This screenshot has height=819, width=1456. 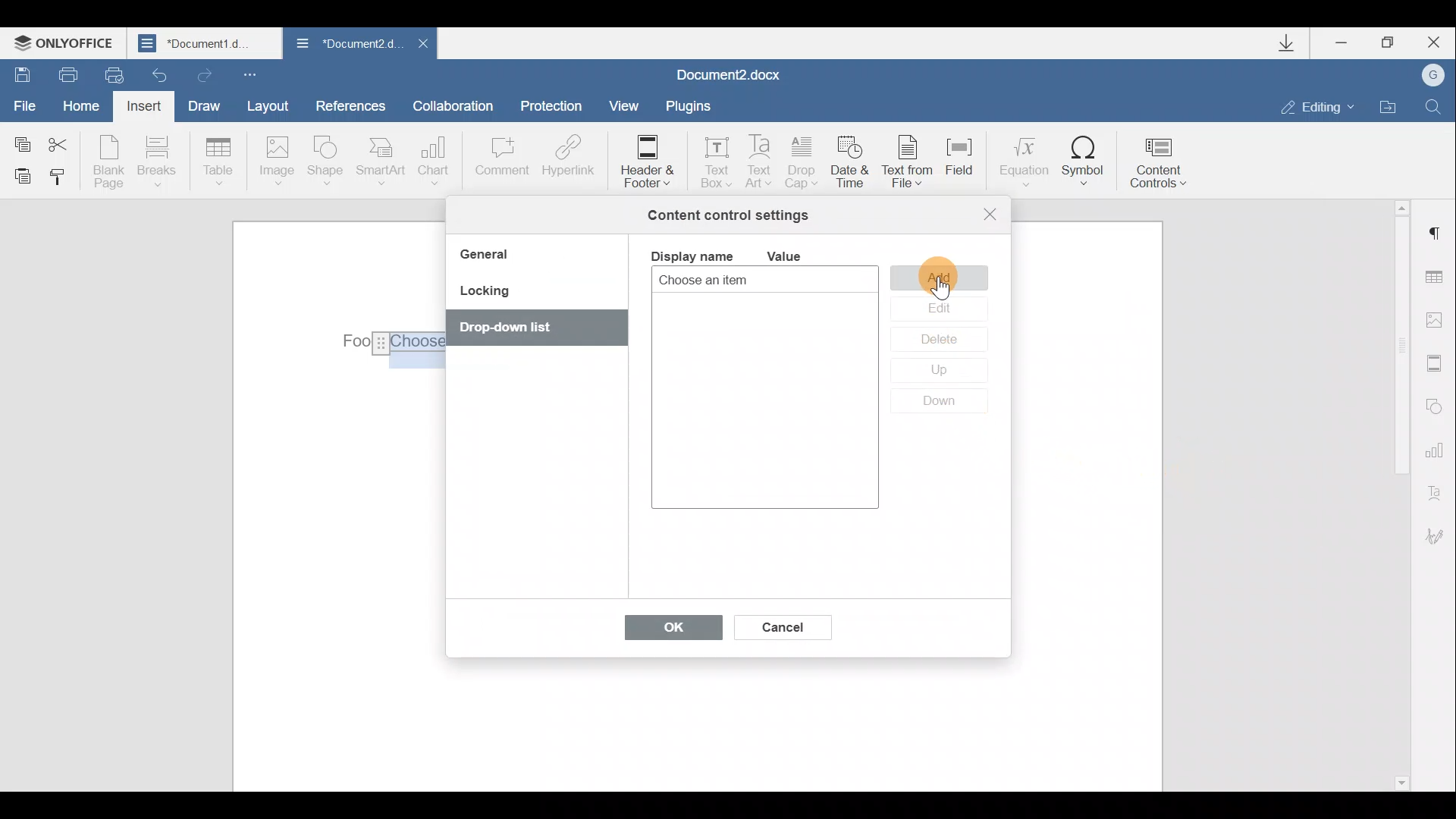 What do you see at coordinates (1438, 320) in the screenshot?
I see `Image settings` at bounding box center [1438, 320].